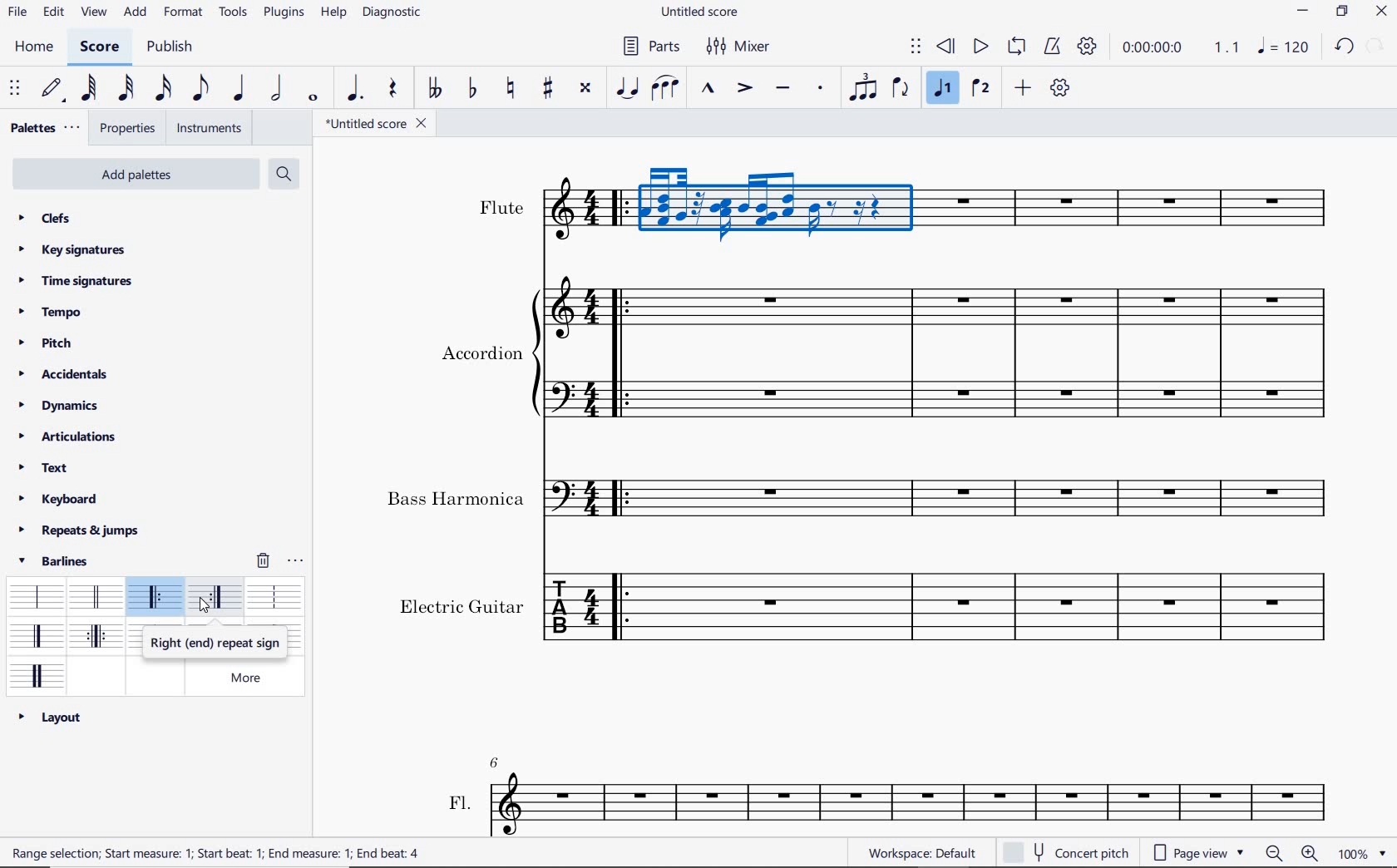 The width and height of the screenshot is (1397, 868). I want to click on toggle flat, so click(472, 89).